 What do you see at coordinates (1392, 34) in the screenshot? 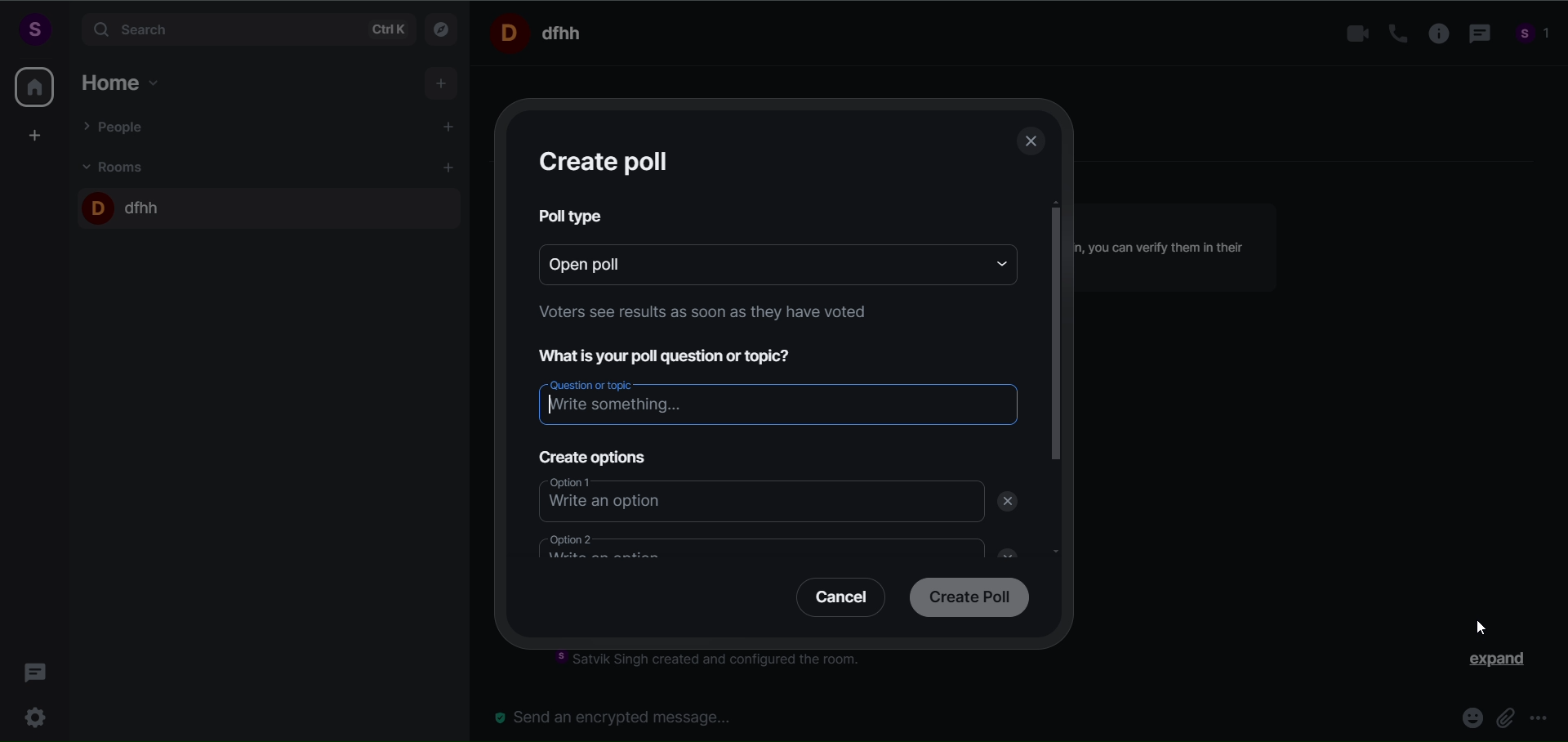
I see `call` at bounding box center [1392, 34].